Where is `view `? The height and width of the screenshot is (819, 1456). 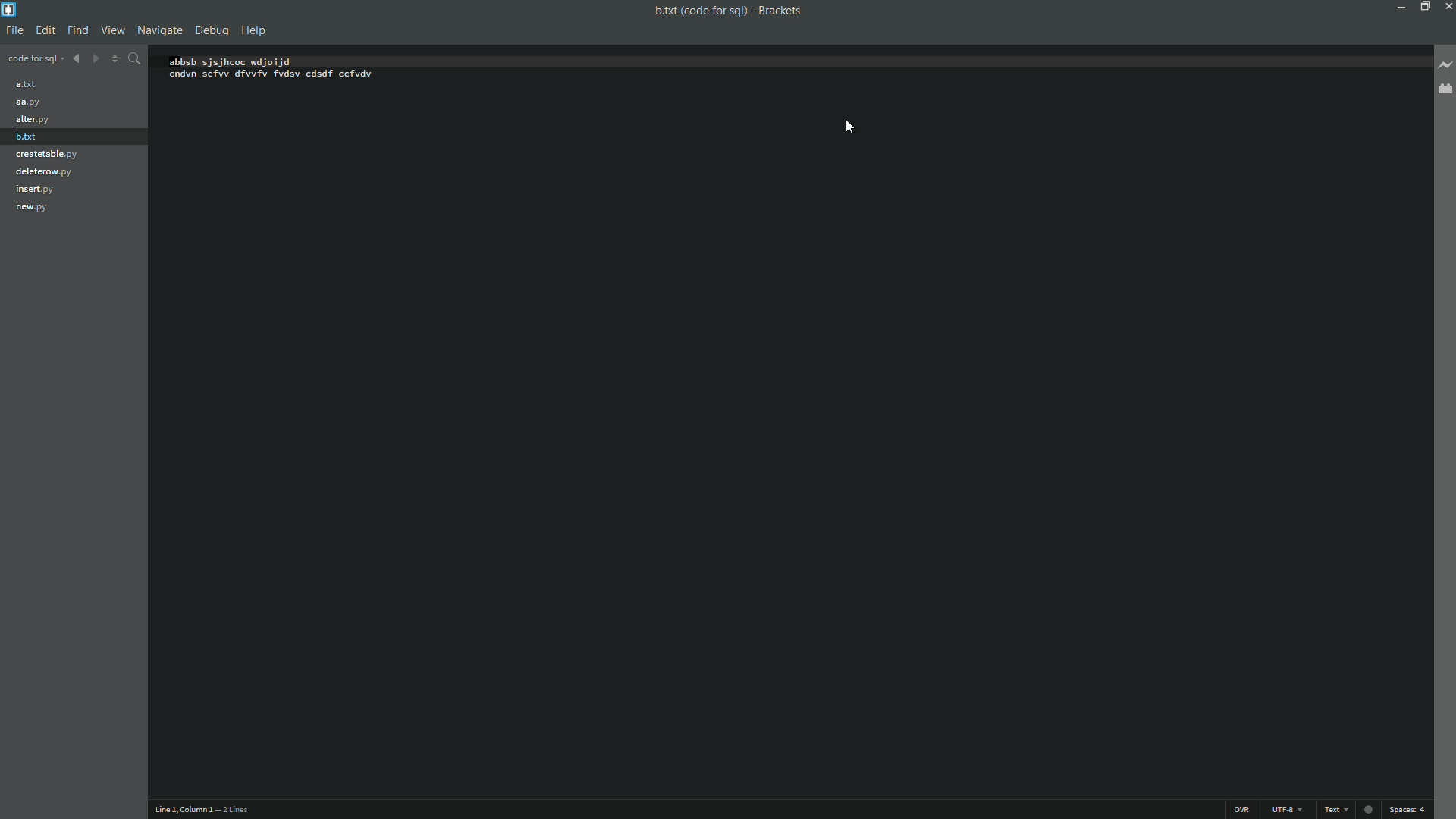
view  is located at coordinates (111, 31).